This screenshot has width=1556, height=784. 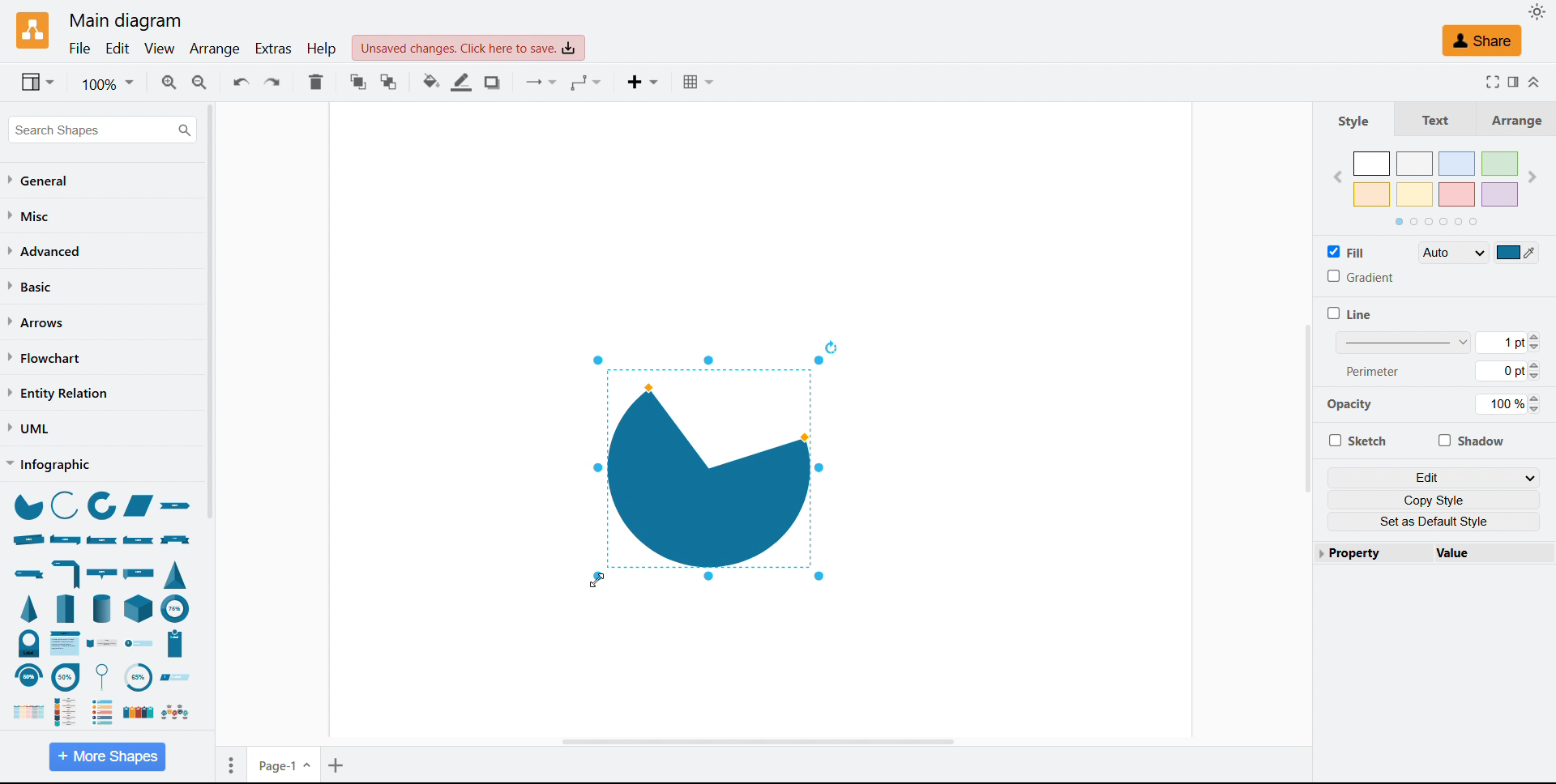 I want to click on banner single fold, so click(x=28, y=574).